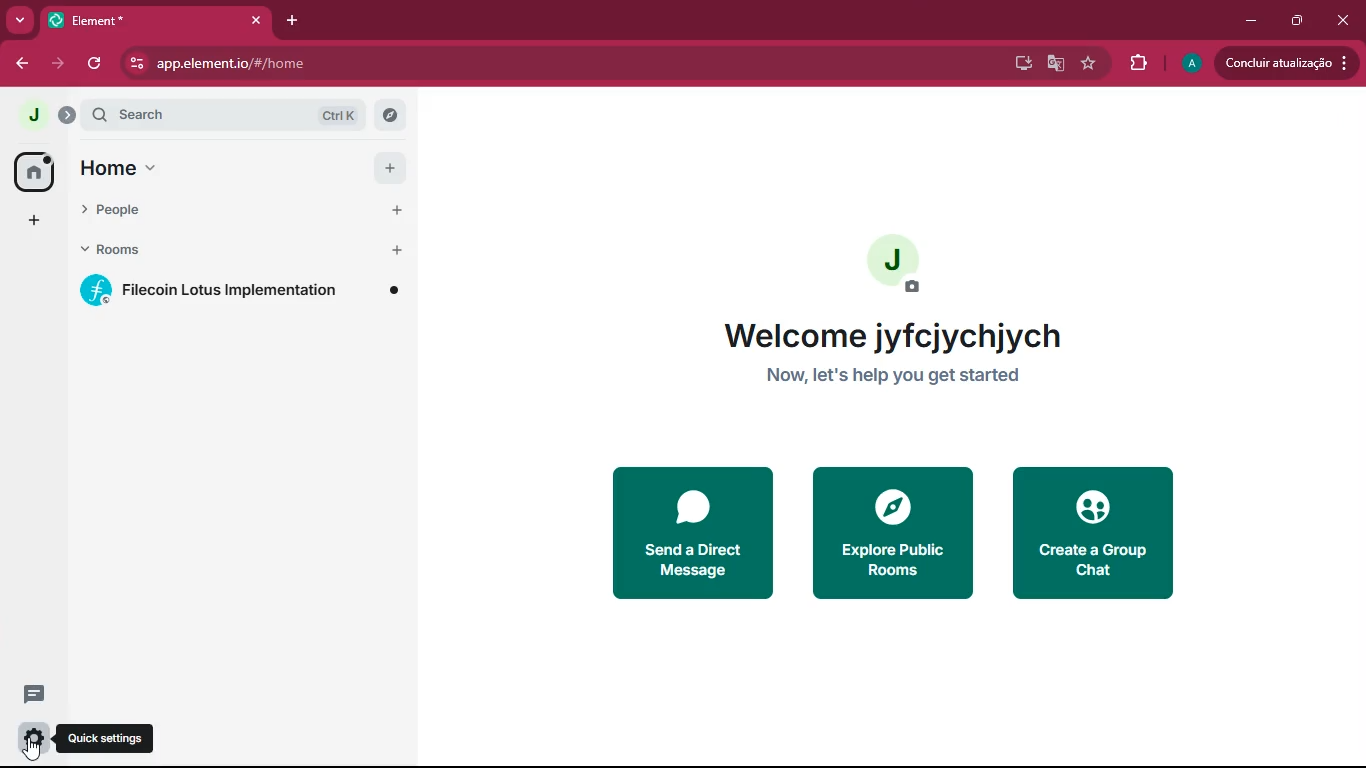 This screenshot has width=1366, height=768. What do you see at coordinates (138, 206) in the screenshot?
I see `people` at bounding box center [138, 206].